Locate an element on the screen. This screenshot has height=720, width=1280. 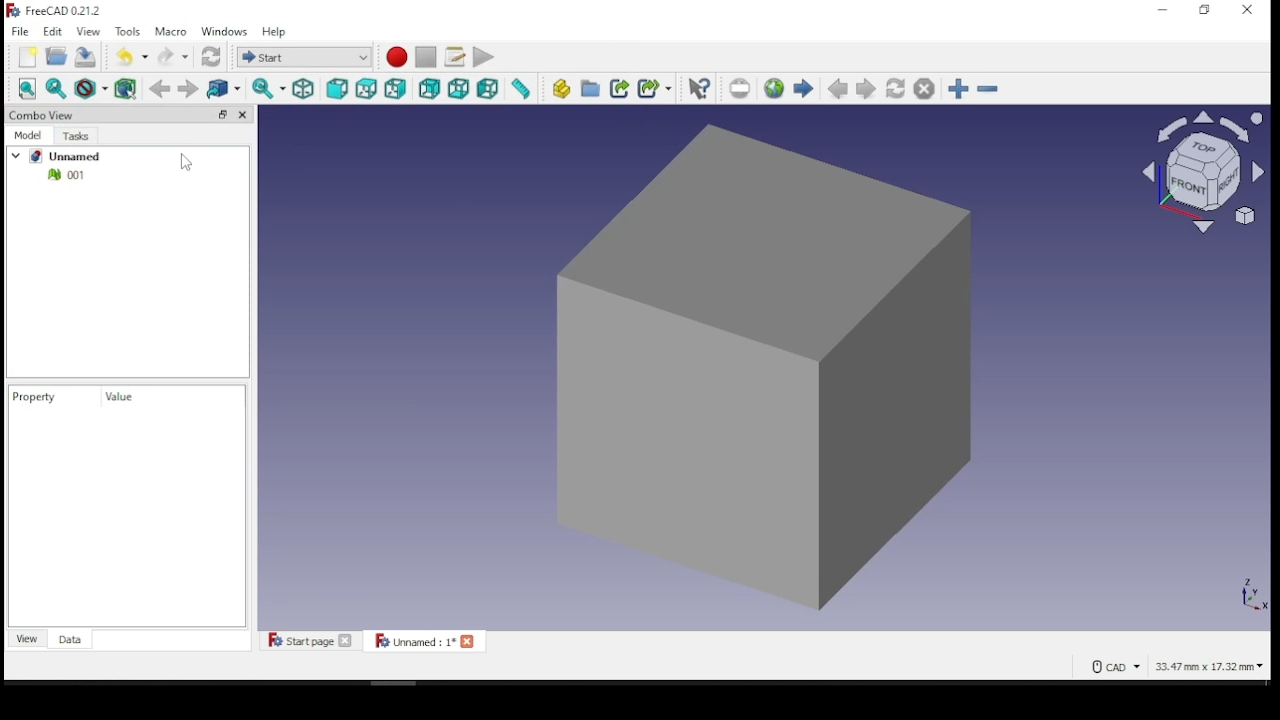
detach panel is located at coordinates (220, 114).